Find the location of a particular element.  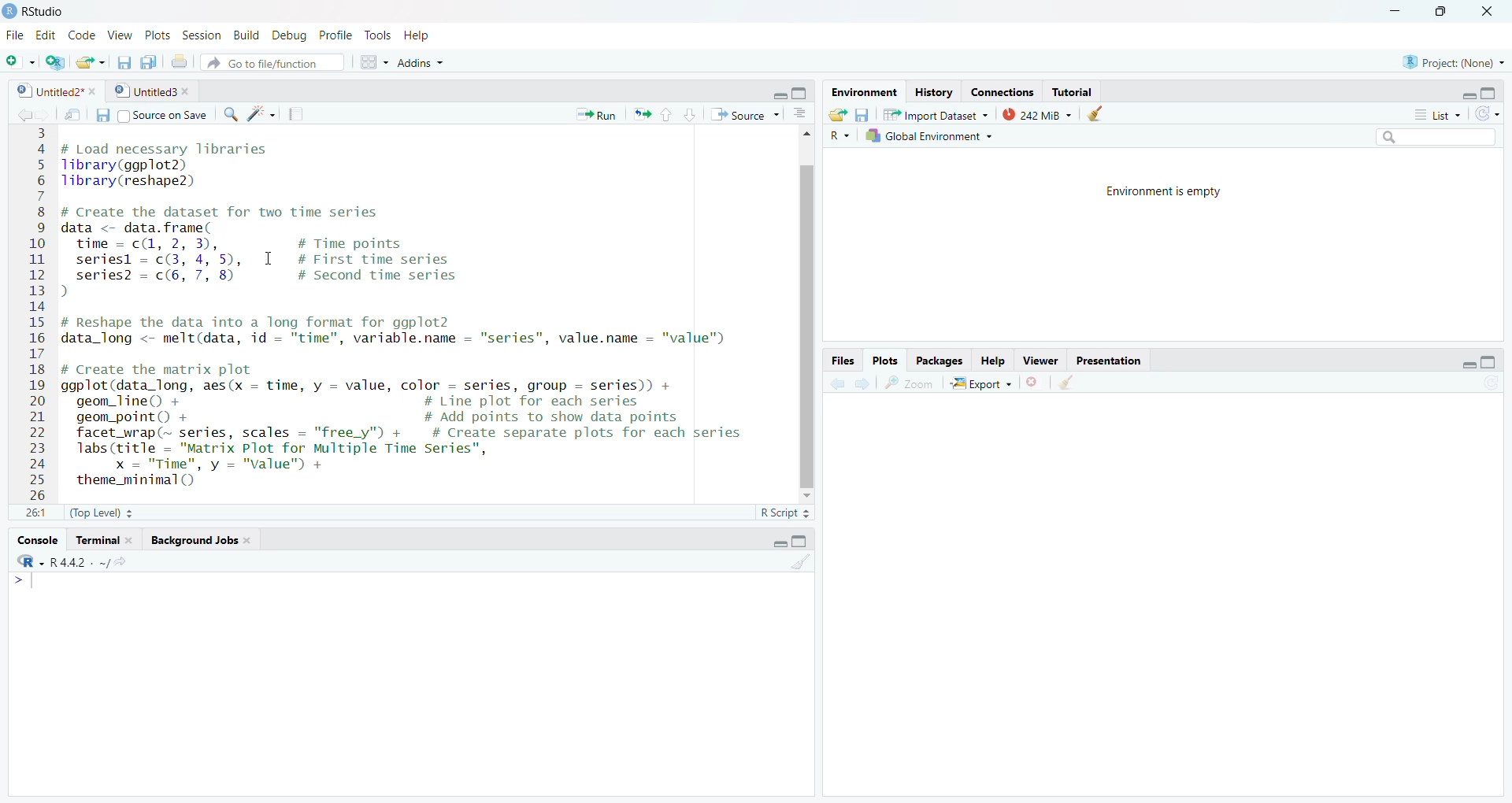

close is located at coordinates (190, 92).